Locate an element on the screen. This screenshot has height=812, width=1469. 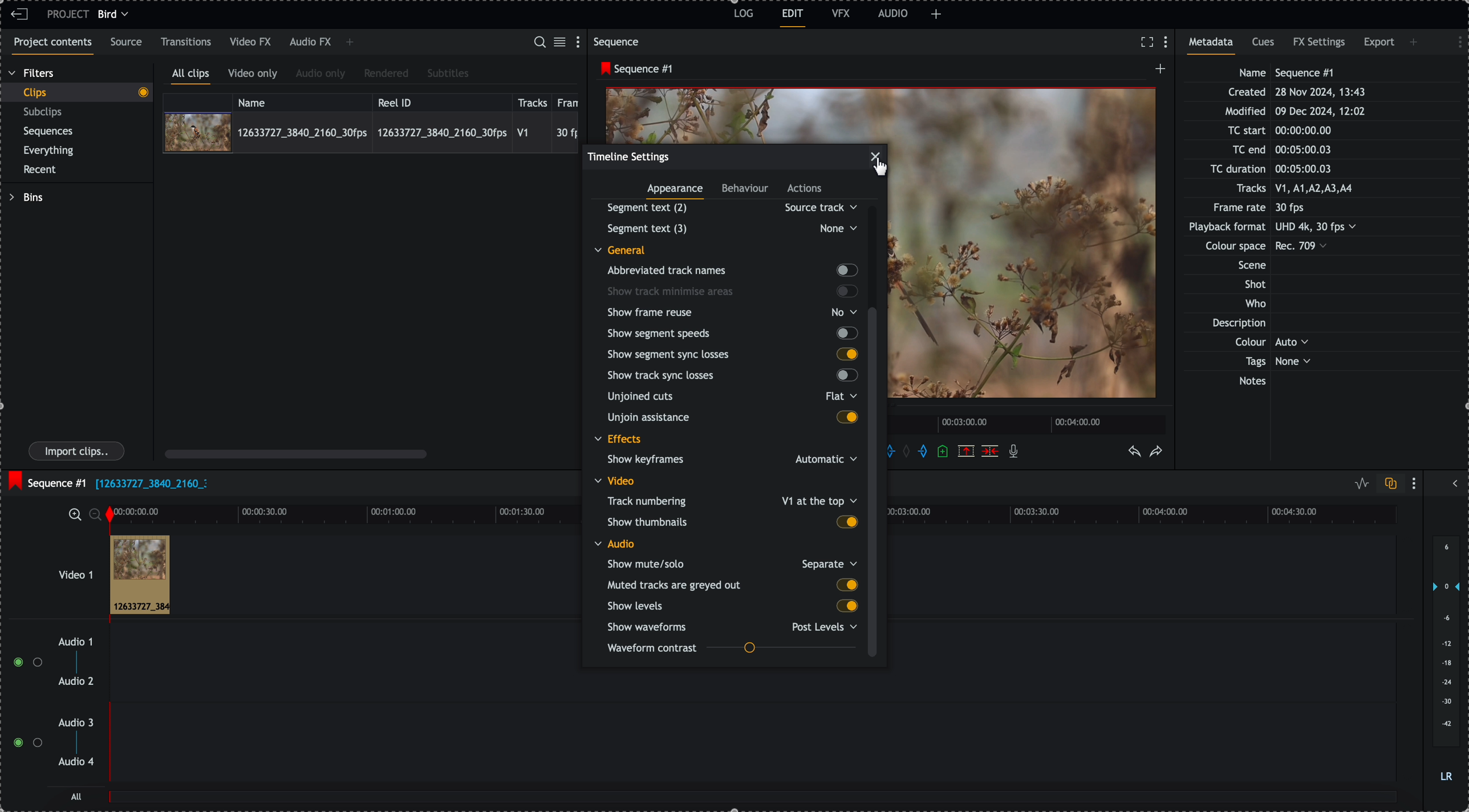
general is located at coordinates (628, 249).